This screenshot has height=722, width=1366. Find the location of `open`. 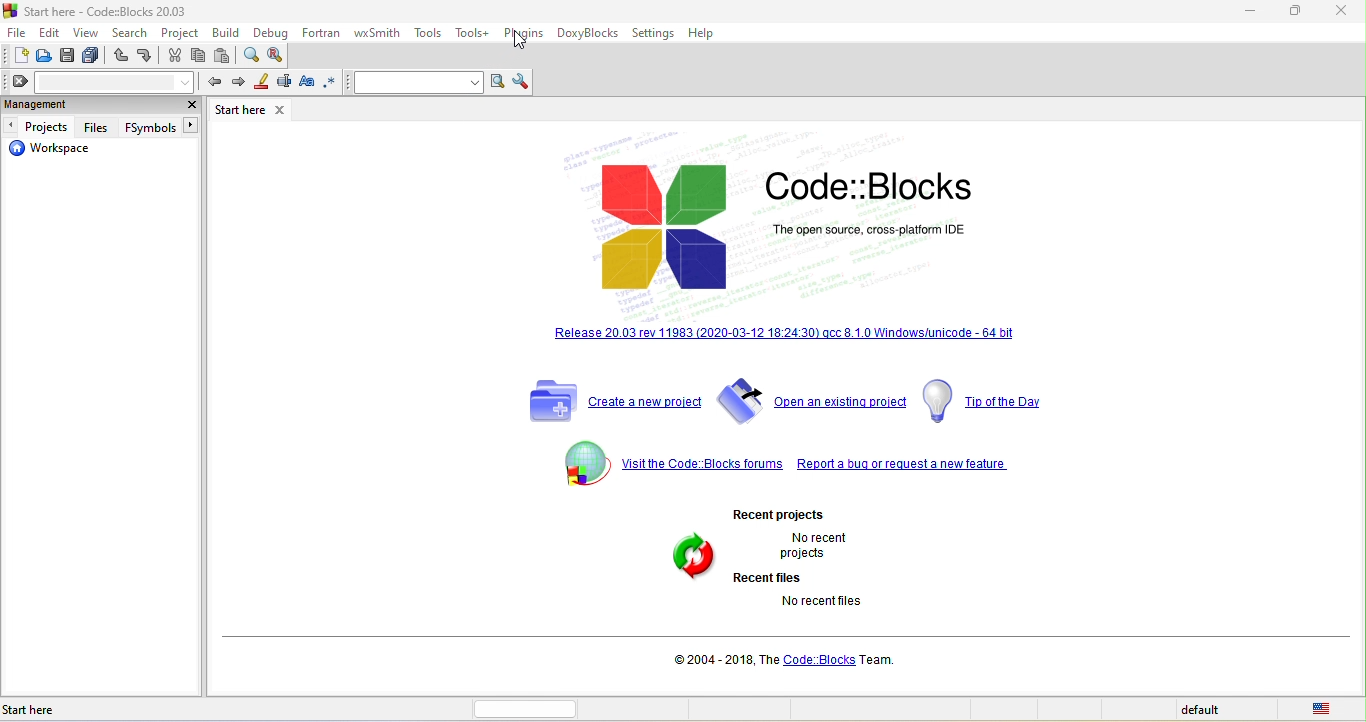

open is located at coordinates (45, 56).